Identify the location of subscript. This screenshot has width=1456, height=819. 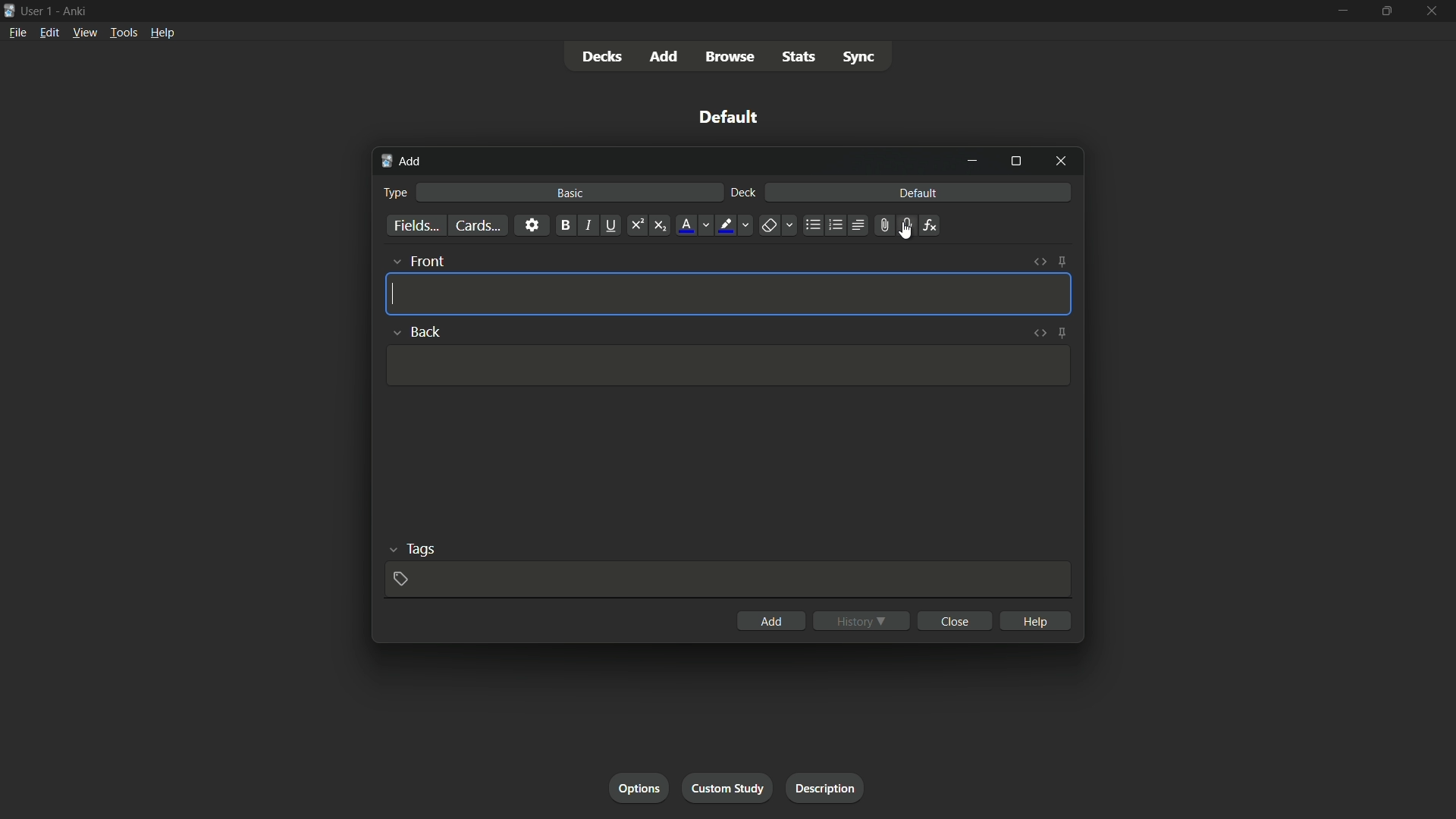
(662, 225).